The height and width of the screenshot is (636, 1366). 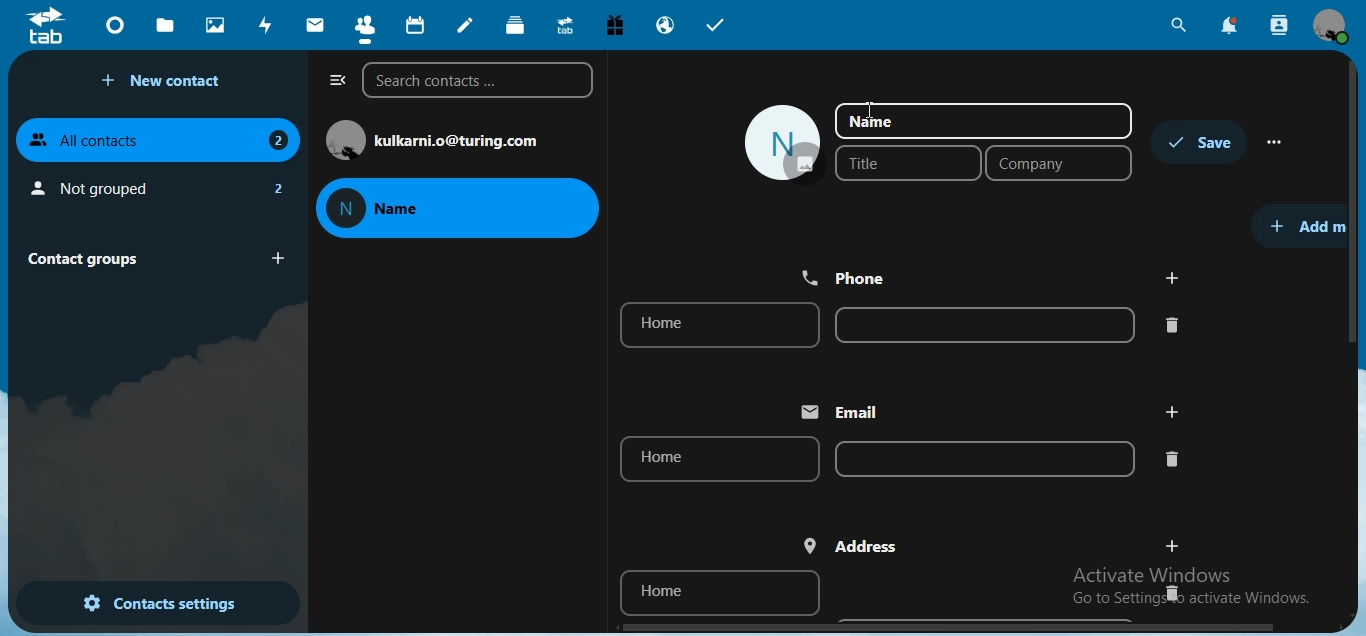 What do you see at coordinates (610, 24) in the screenshot?
I see `free trial` at bounding box center [610, 24].